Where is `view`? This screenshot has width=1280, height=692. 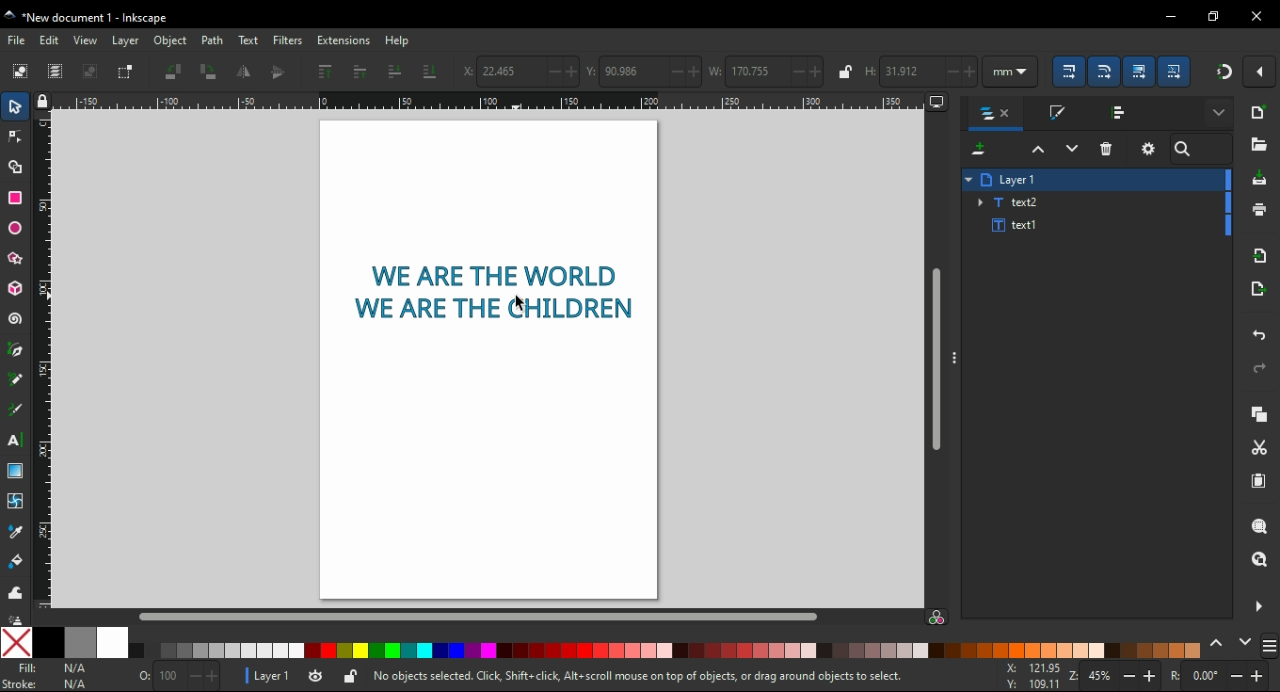
view is located at coordinates (87, 41).